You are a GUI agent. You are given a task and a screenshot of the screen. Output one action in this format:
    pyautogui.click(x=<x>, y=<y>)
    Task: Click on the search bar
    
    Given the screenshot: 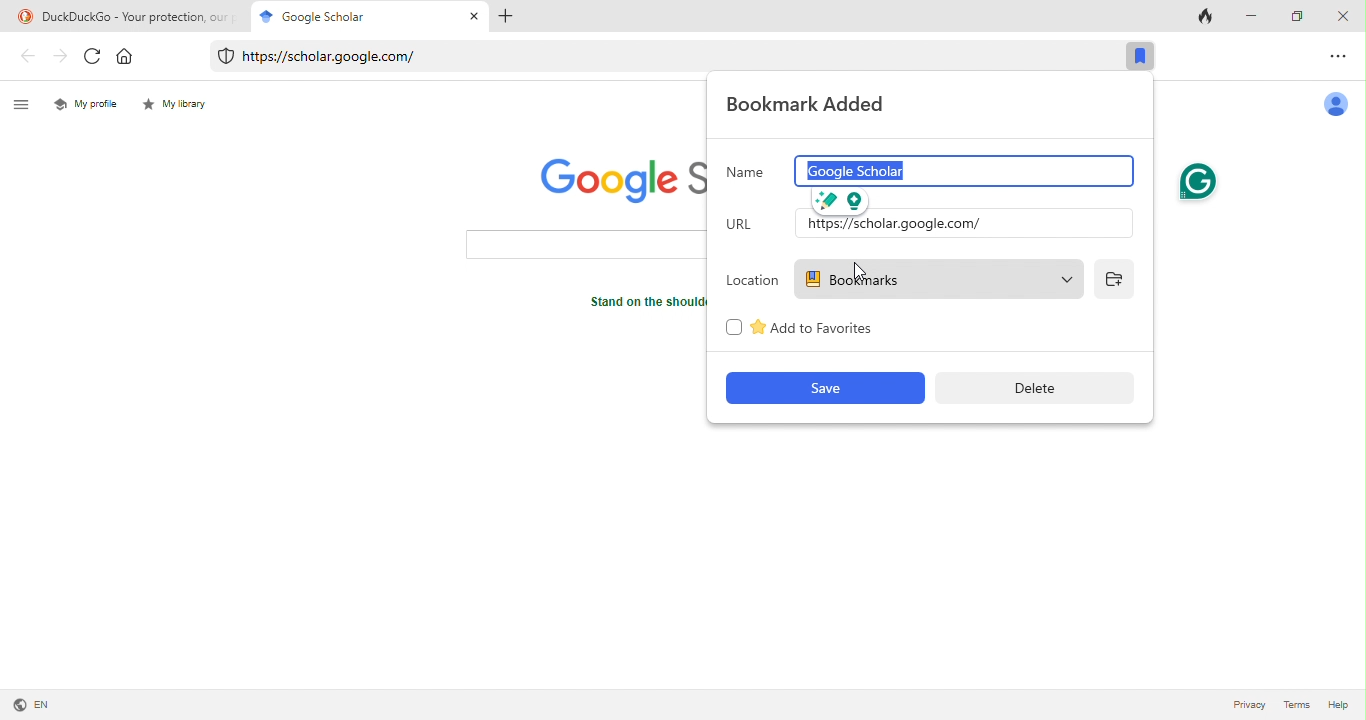 What is the action you would take?
    pyautogui.click(x=586, y=246)
    